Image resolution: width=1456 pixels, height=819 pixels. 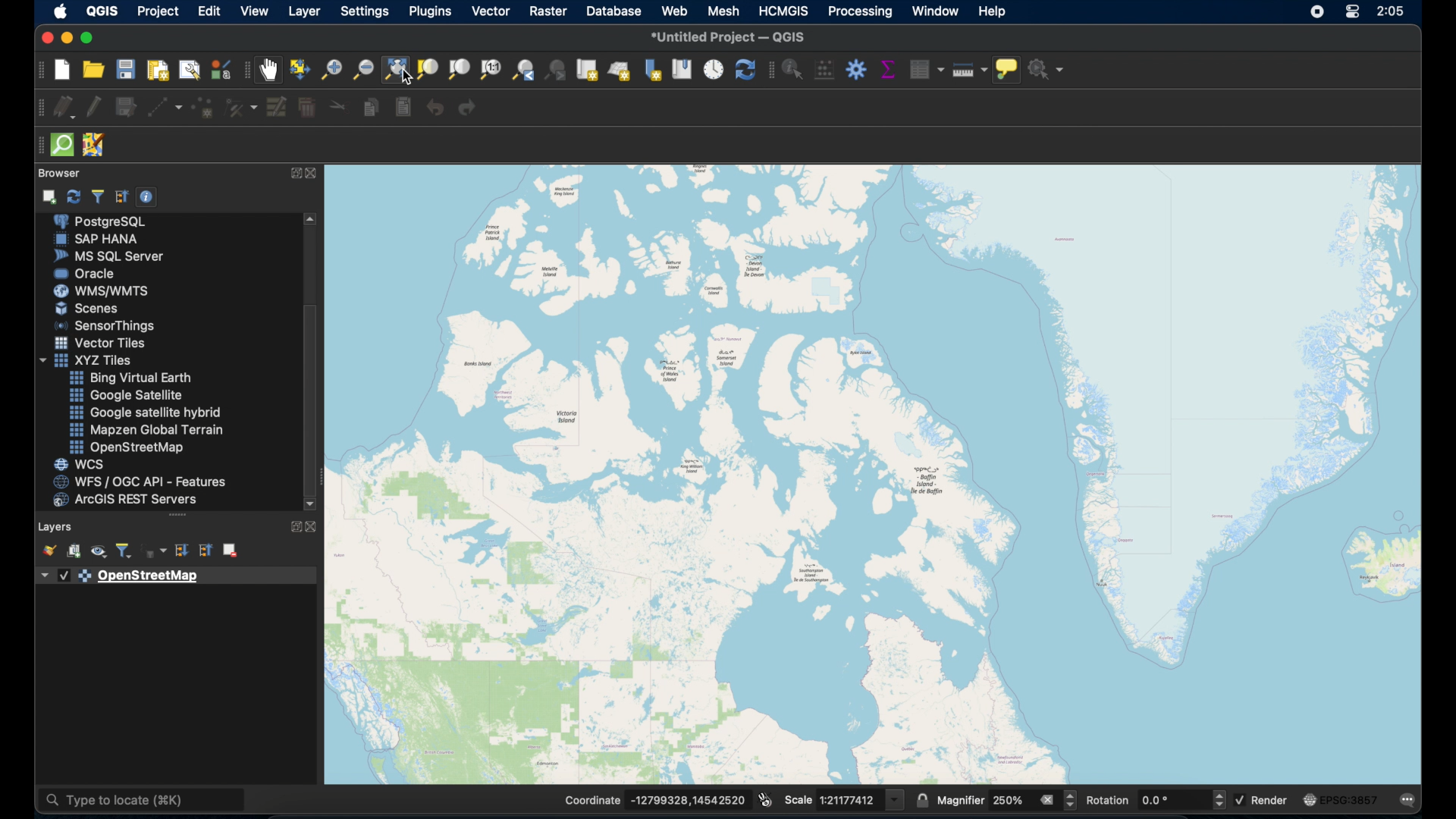 I want to click on , so click(x=1351, y=14).